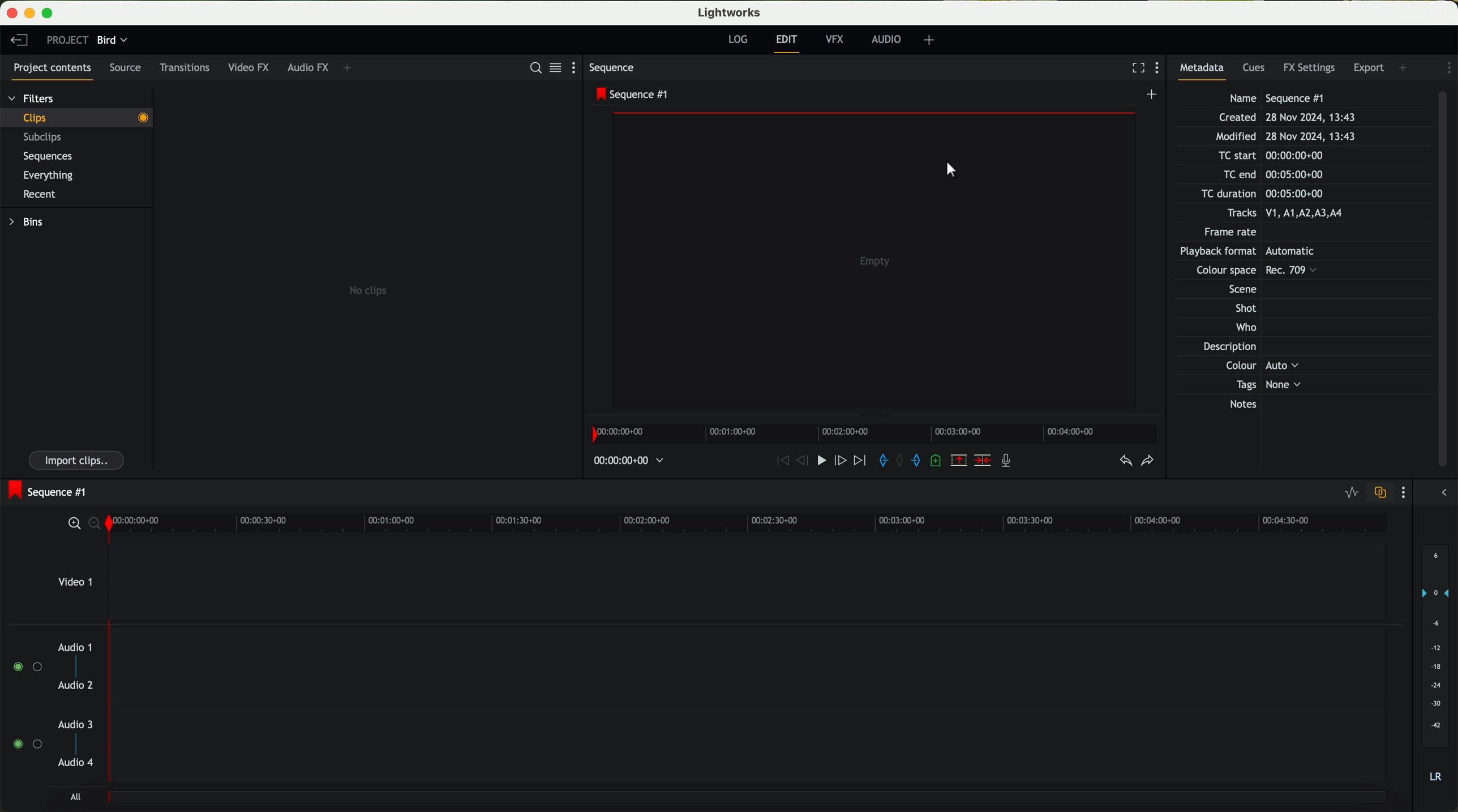  Describe the element at coordinates (1313, 69) in the screenshot. I see `FX settings` at that location.